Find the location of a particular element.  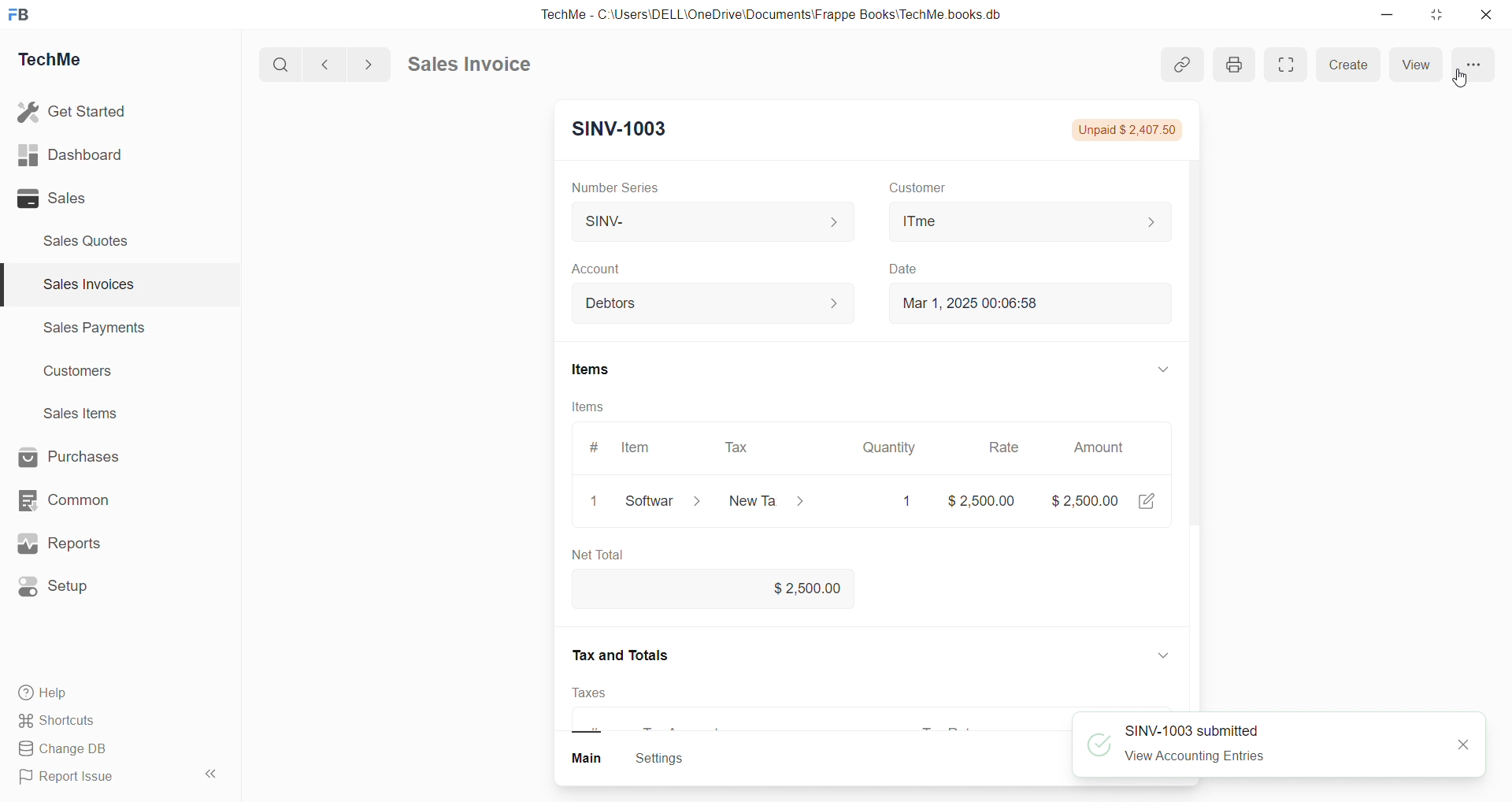

B& Change DB is located at coordinates (69, 750).